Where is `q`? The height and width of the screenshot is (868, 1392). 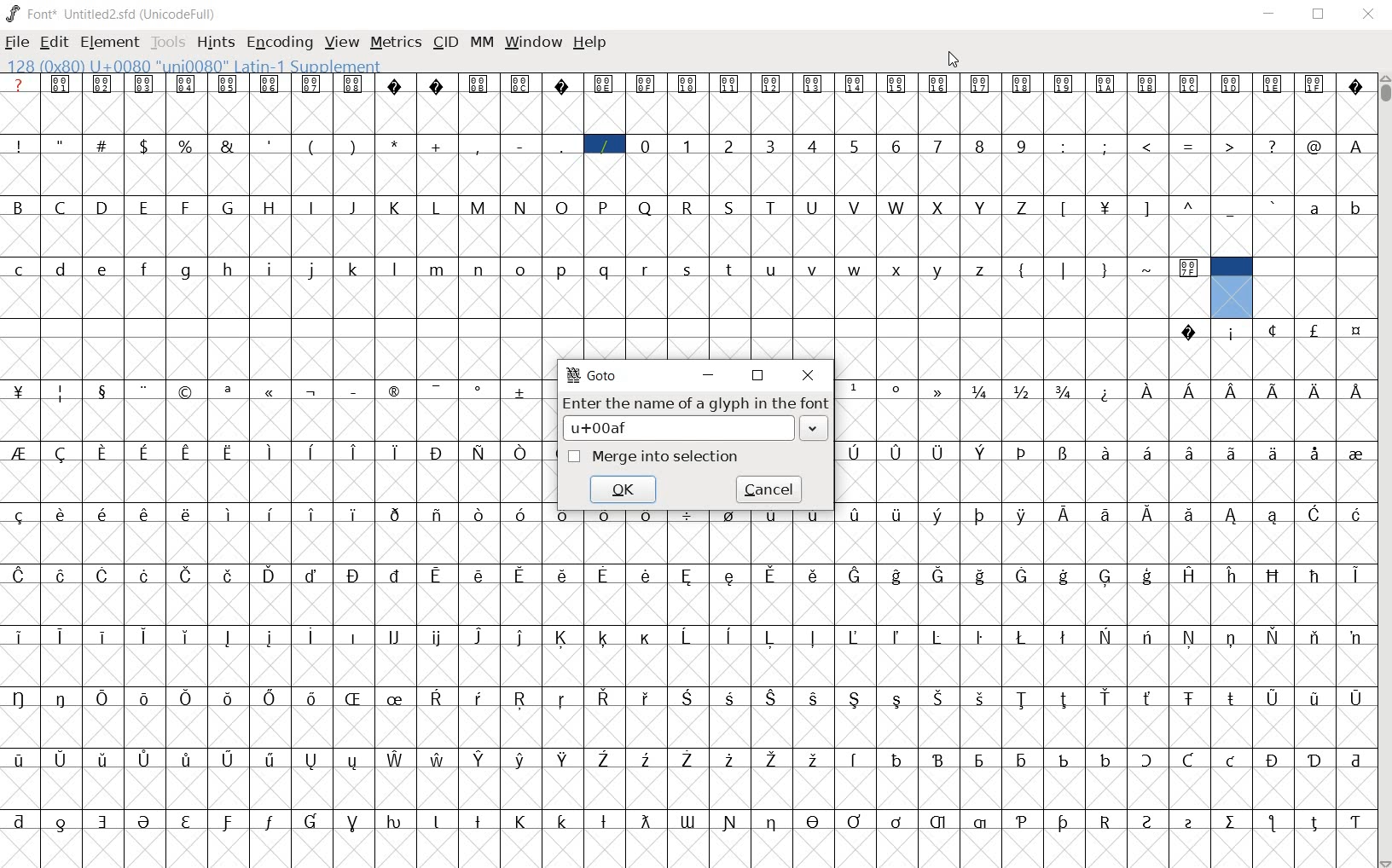
q is located at coordinates (606, 269).